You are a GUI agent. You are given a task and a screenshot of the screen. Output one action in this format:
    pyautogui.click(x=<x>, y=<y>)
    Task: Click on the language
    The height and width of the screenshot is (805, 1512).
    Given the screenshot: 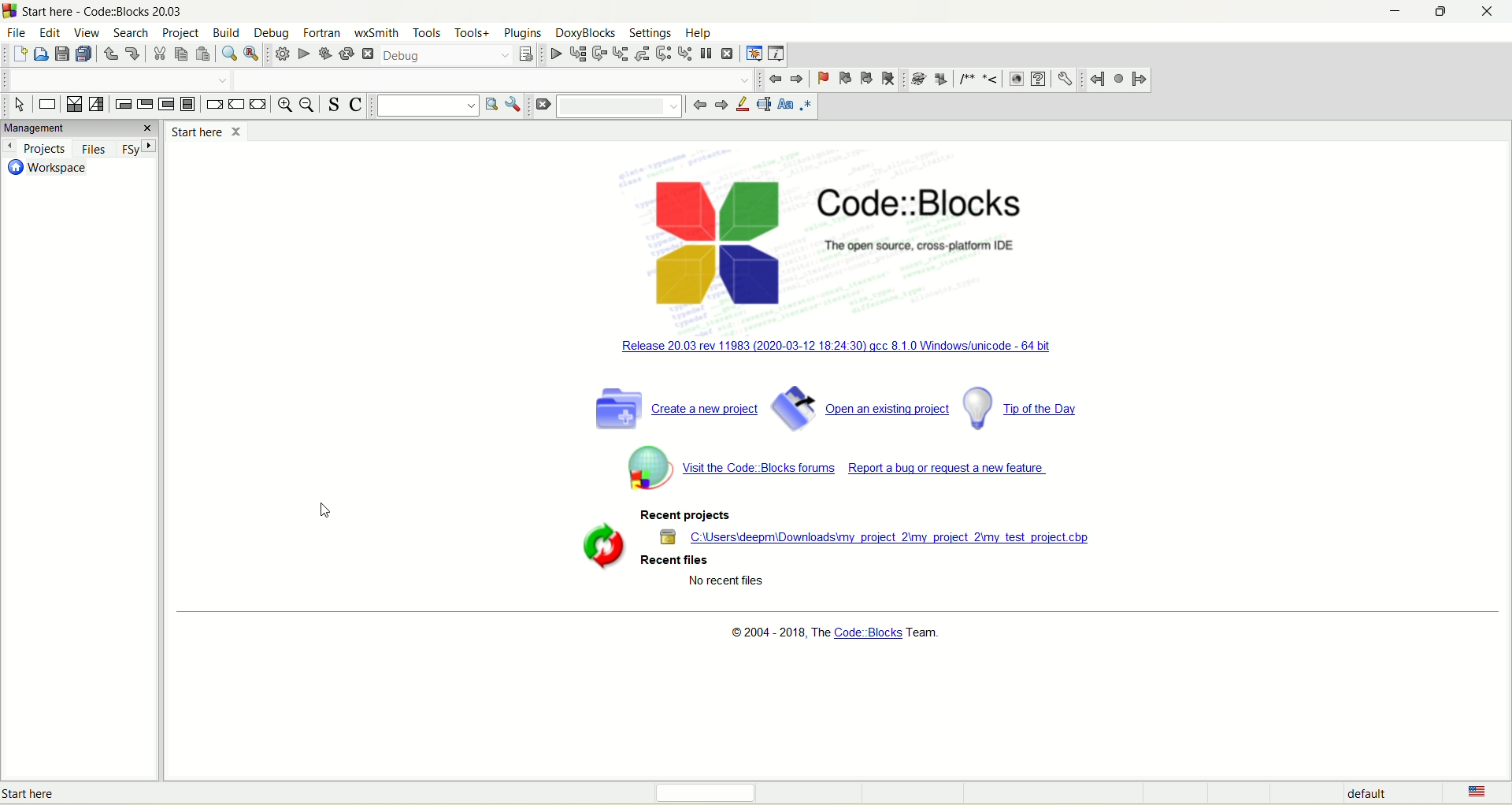 What is the action you would take?
    pyautogui.click(x=1473, y=793)
    